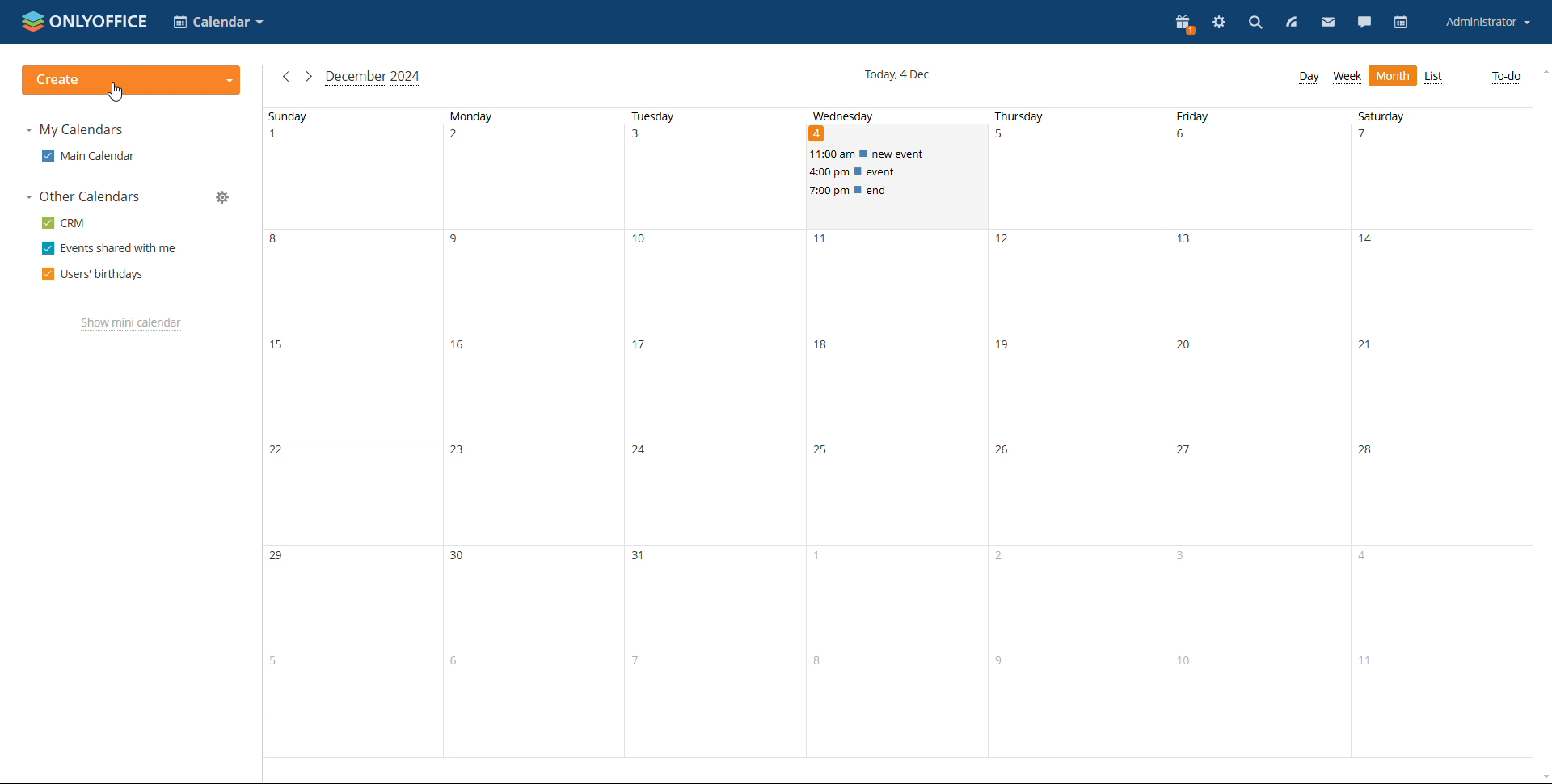 This screenshot has width=1552, height=784. Describe the element at coordinates (87, 156) in the screenshot. I see `main calendar` at that location.